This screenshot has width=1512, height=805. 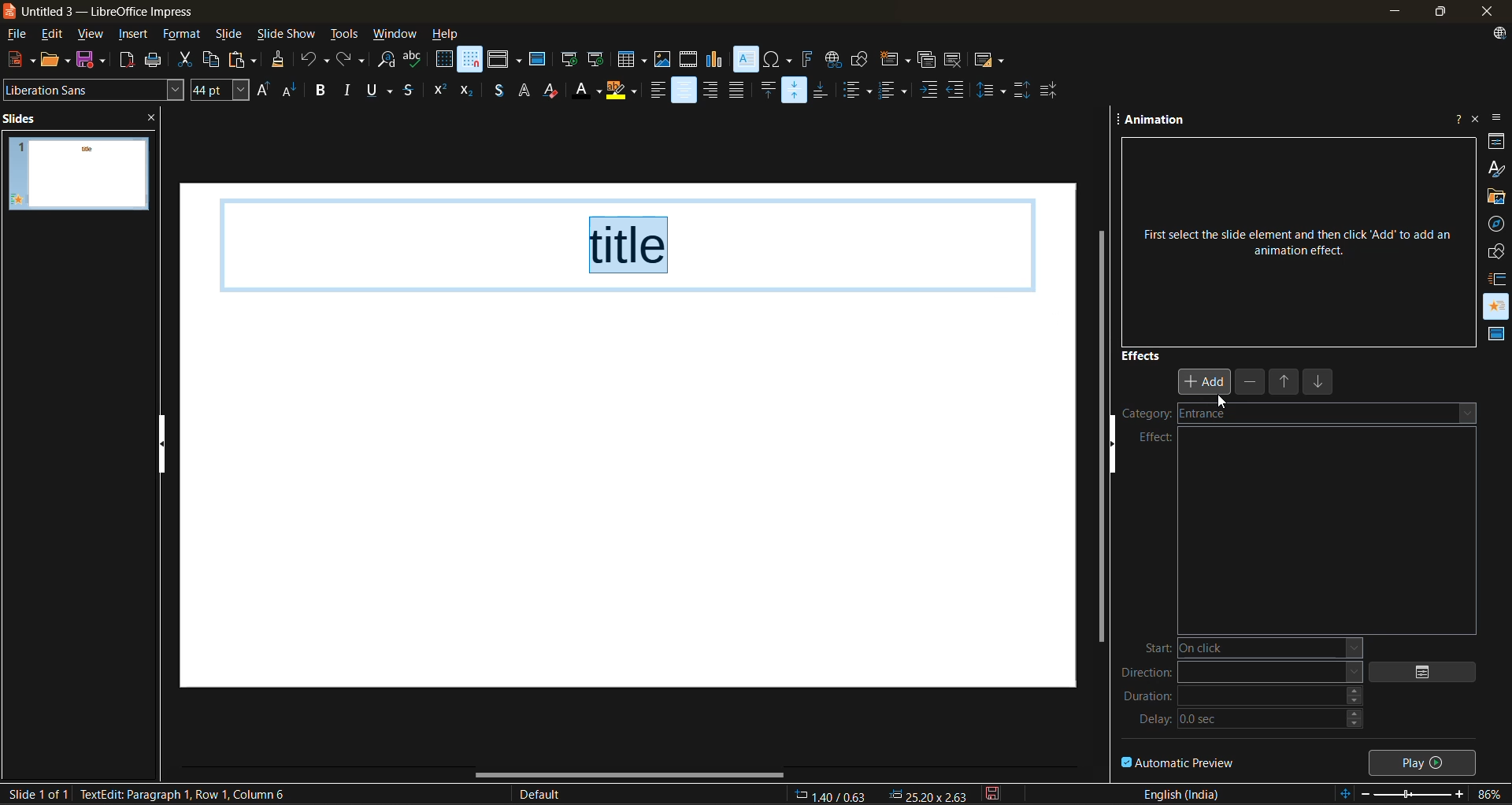 What do you see at coordinates (1497, 197) in the screenshot?
I see `gallery` at bounding box center [1497, 197].